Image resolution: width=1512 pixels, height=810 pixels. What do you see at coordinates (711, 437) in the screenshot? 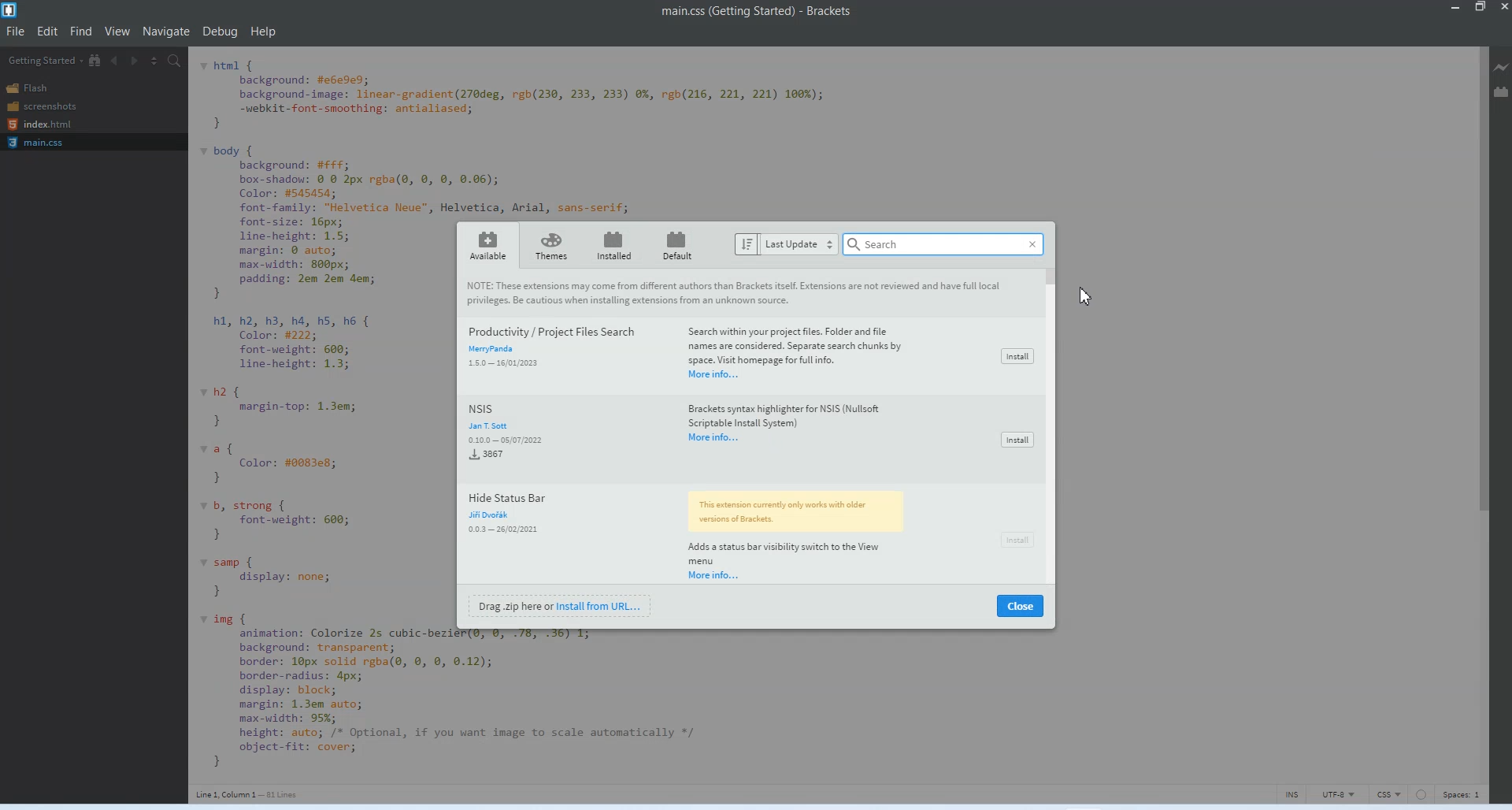
I see `NSIS` at bounding box center [711, 437].